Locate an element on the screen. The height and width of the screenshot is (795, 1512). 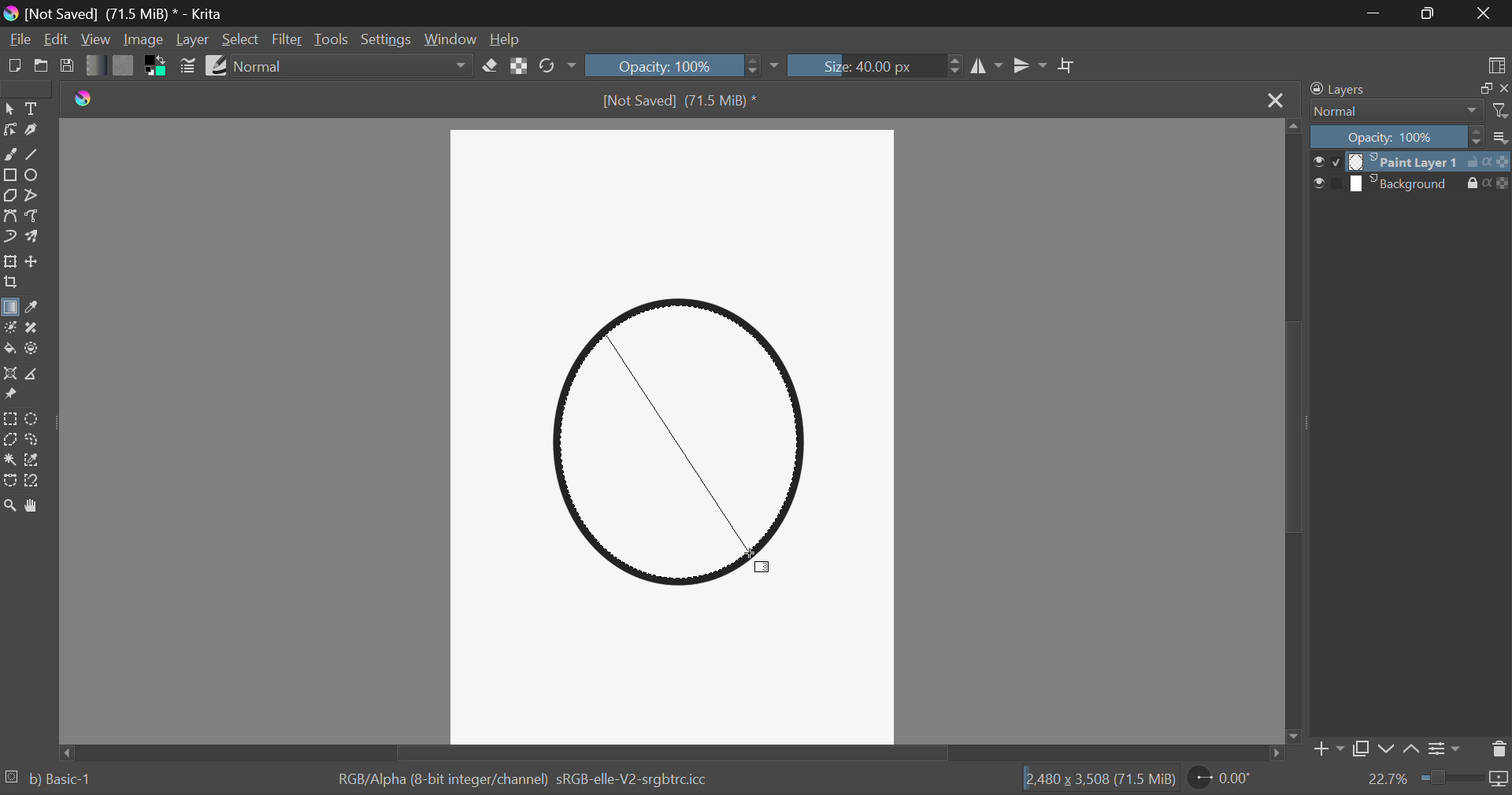
Window is located at coordinates (452, 42).